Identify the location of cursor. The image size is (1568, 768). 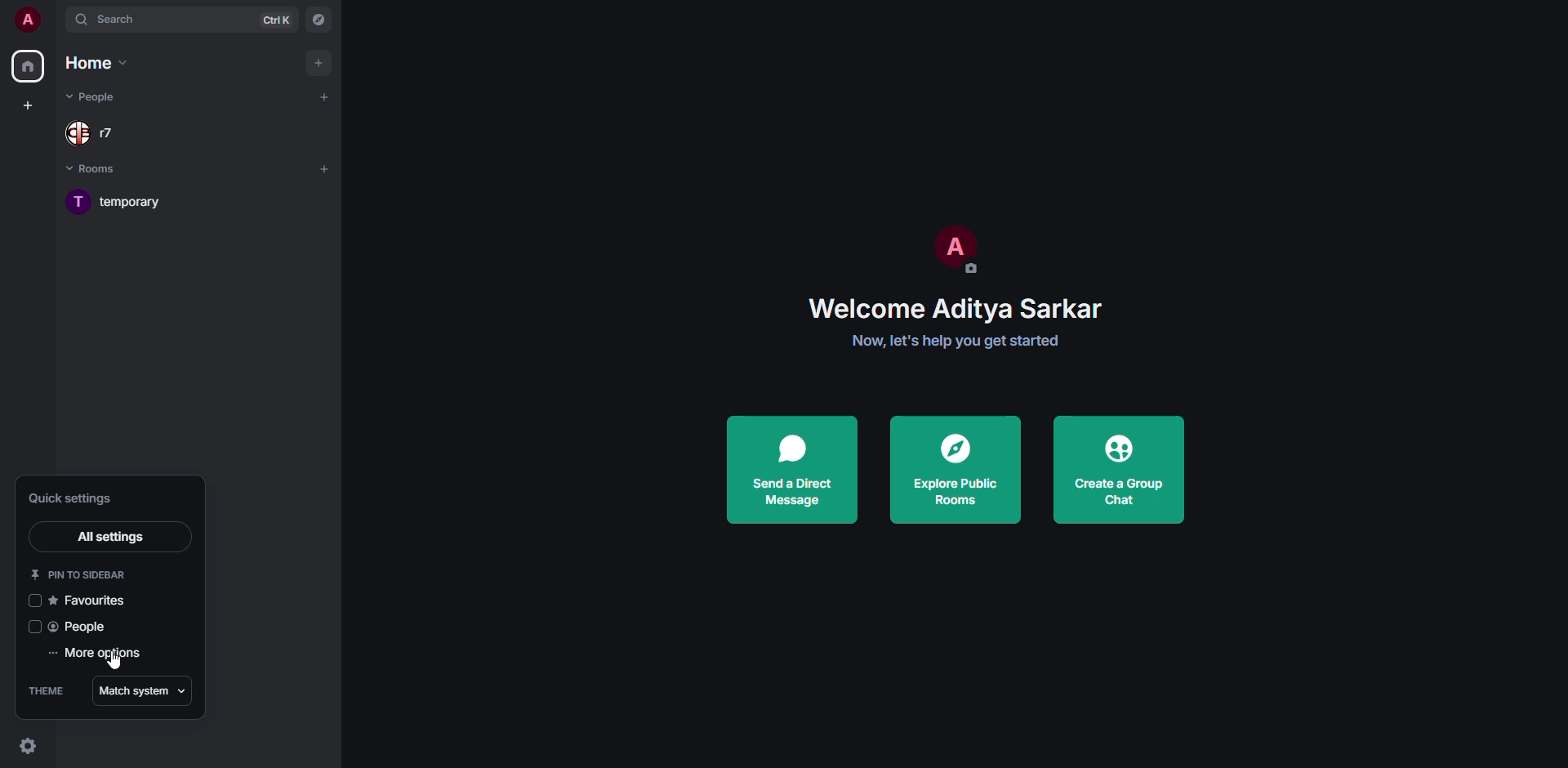
(109, 666).